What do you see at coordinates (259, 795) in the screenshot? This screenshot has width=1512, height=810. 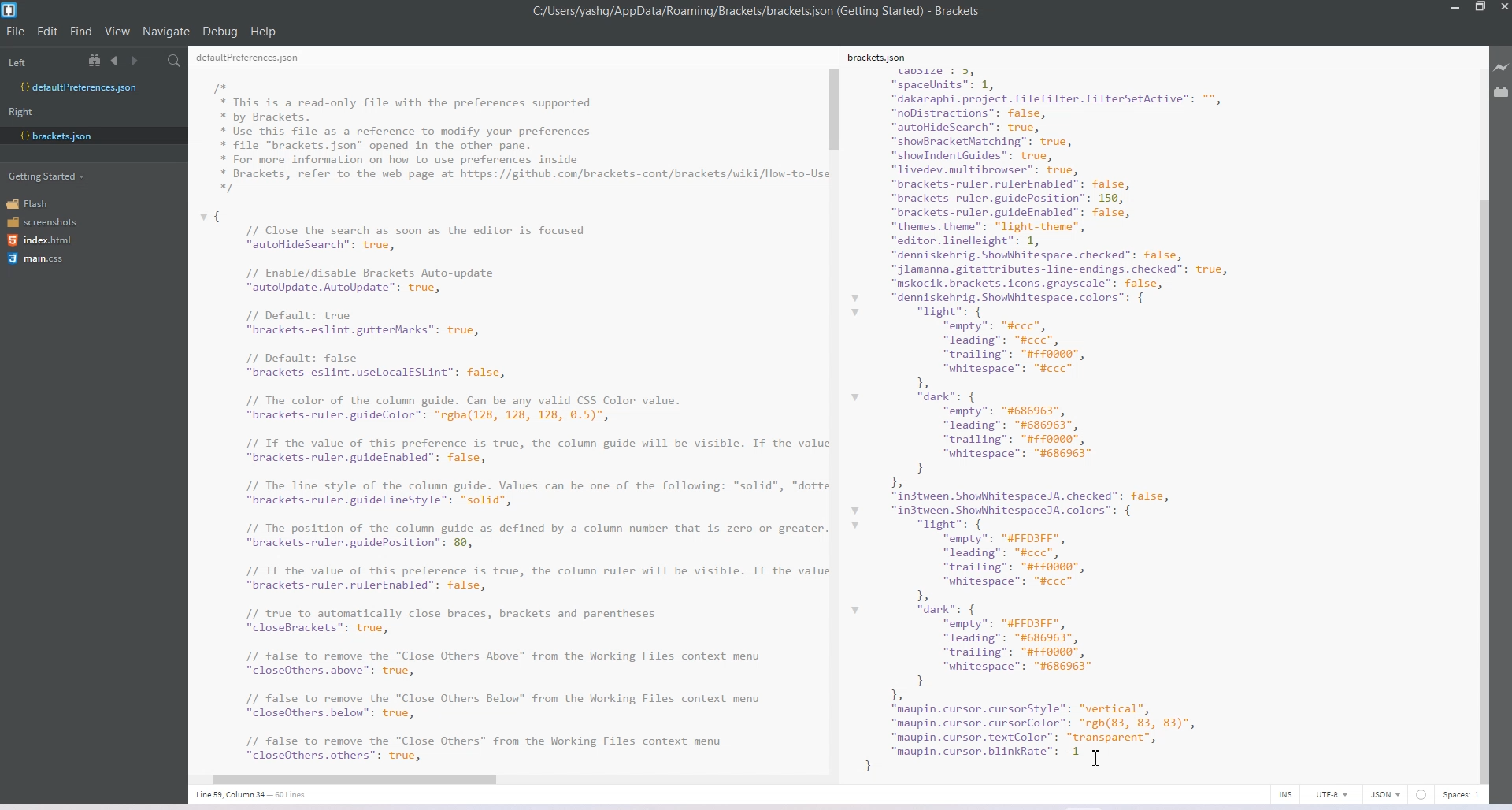 I see `Line 36, Column 13- 60 lines` at bounding box center [259, 795].